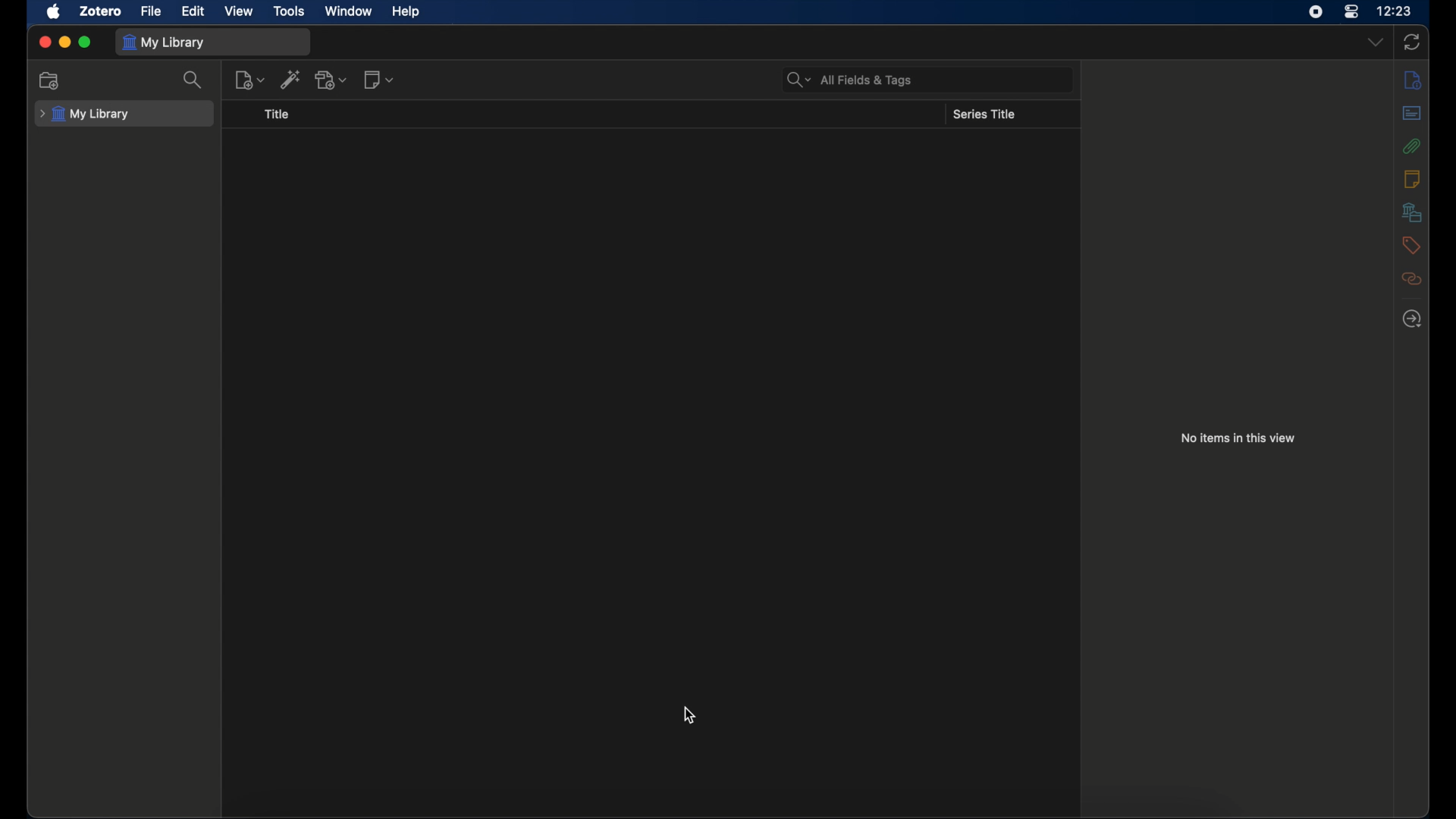  Describe the element at coordinates (250, 80) in the screenshot. I see `new item` at that location.